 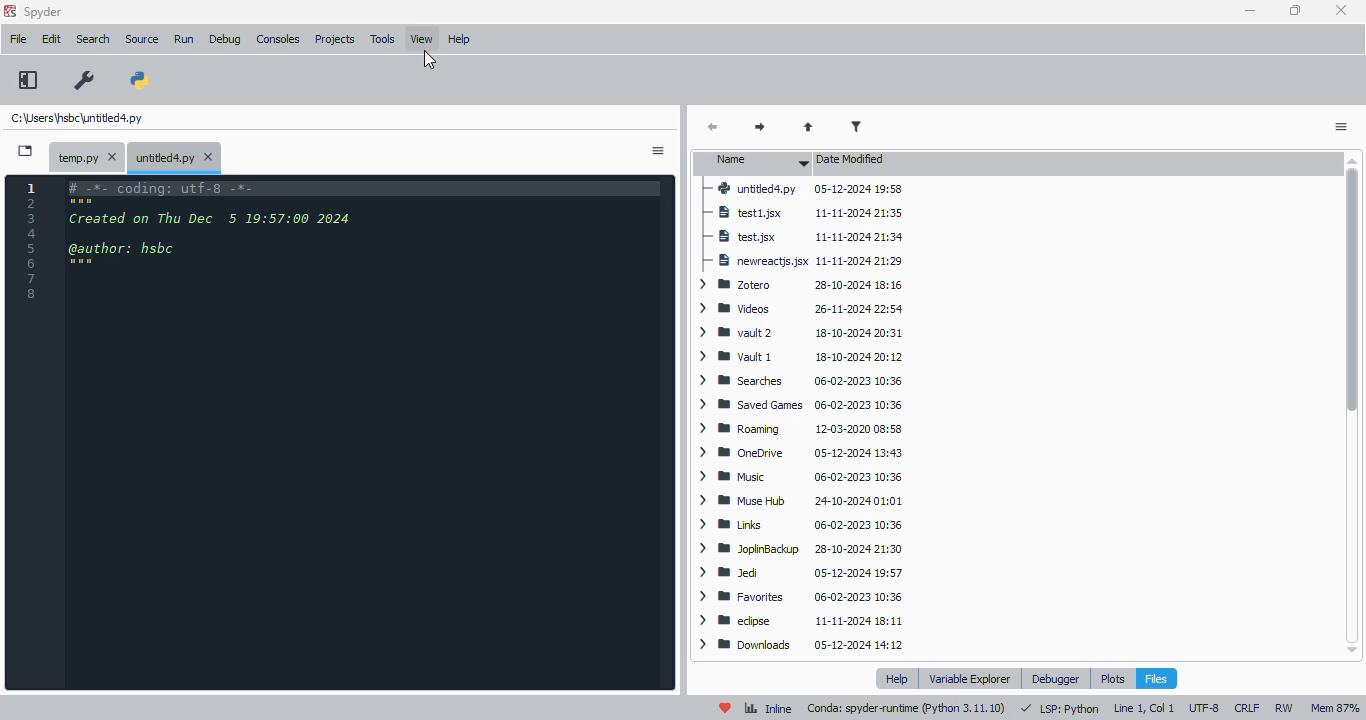 I want to click on edit, so click(x=52, y=39).